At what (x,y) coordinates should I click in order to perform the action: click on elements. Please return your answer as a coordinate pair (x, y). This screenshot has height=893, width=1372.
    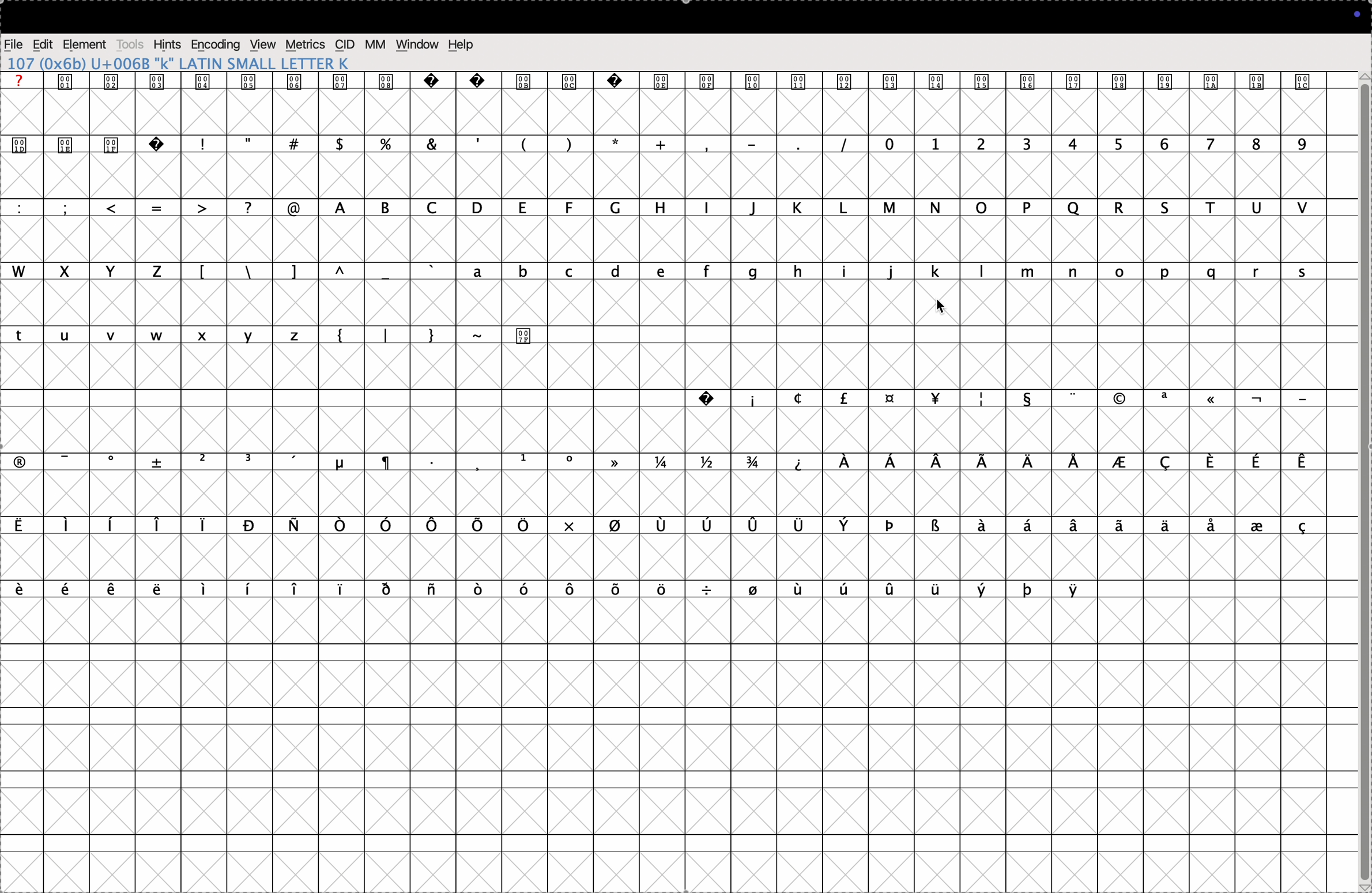
    Looking at the image, I should click on (85, 43).